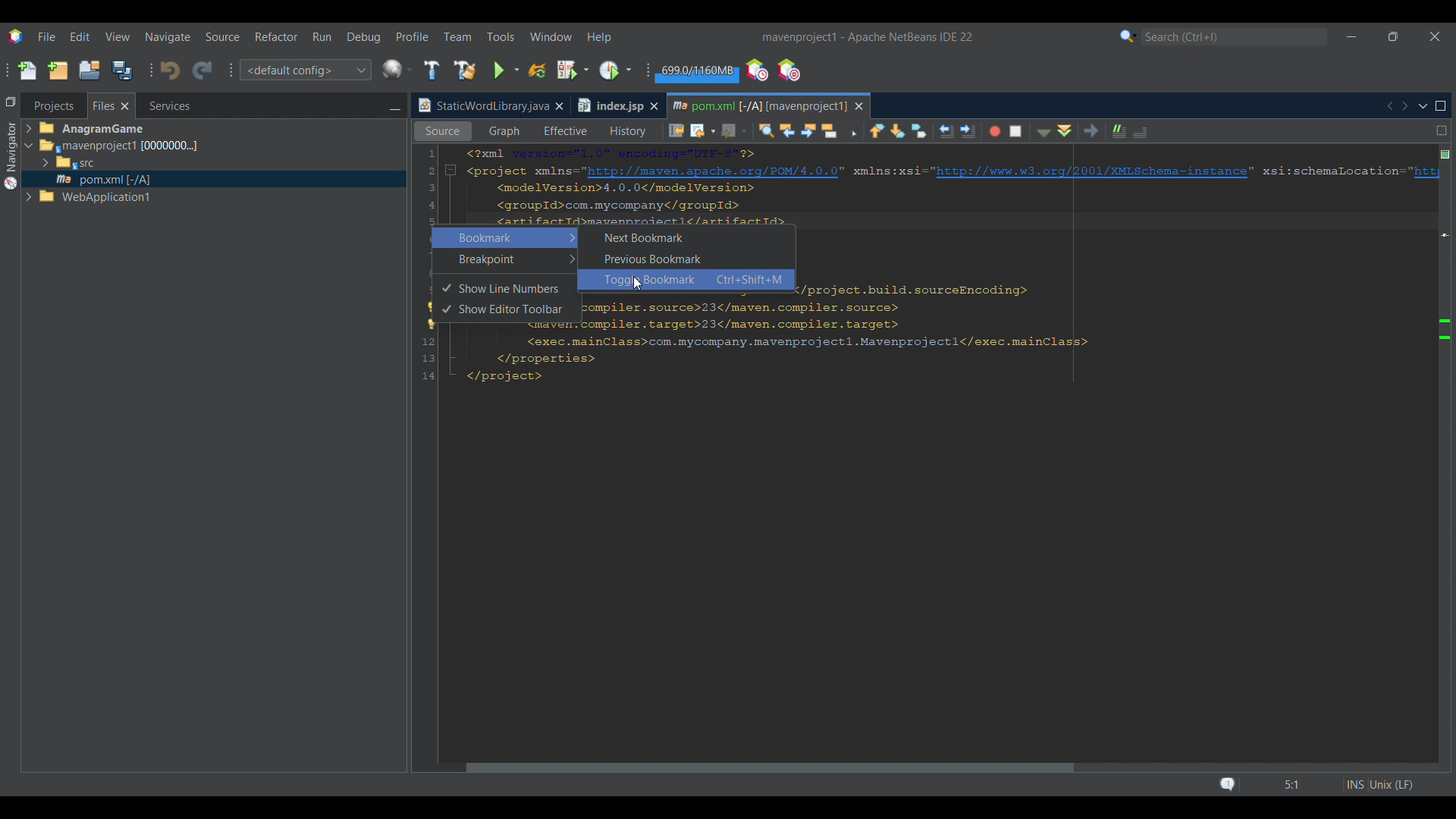  I want to click on Project name added, so click(867, 37).